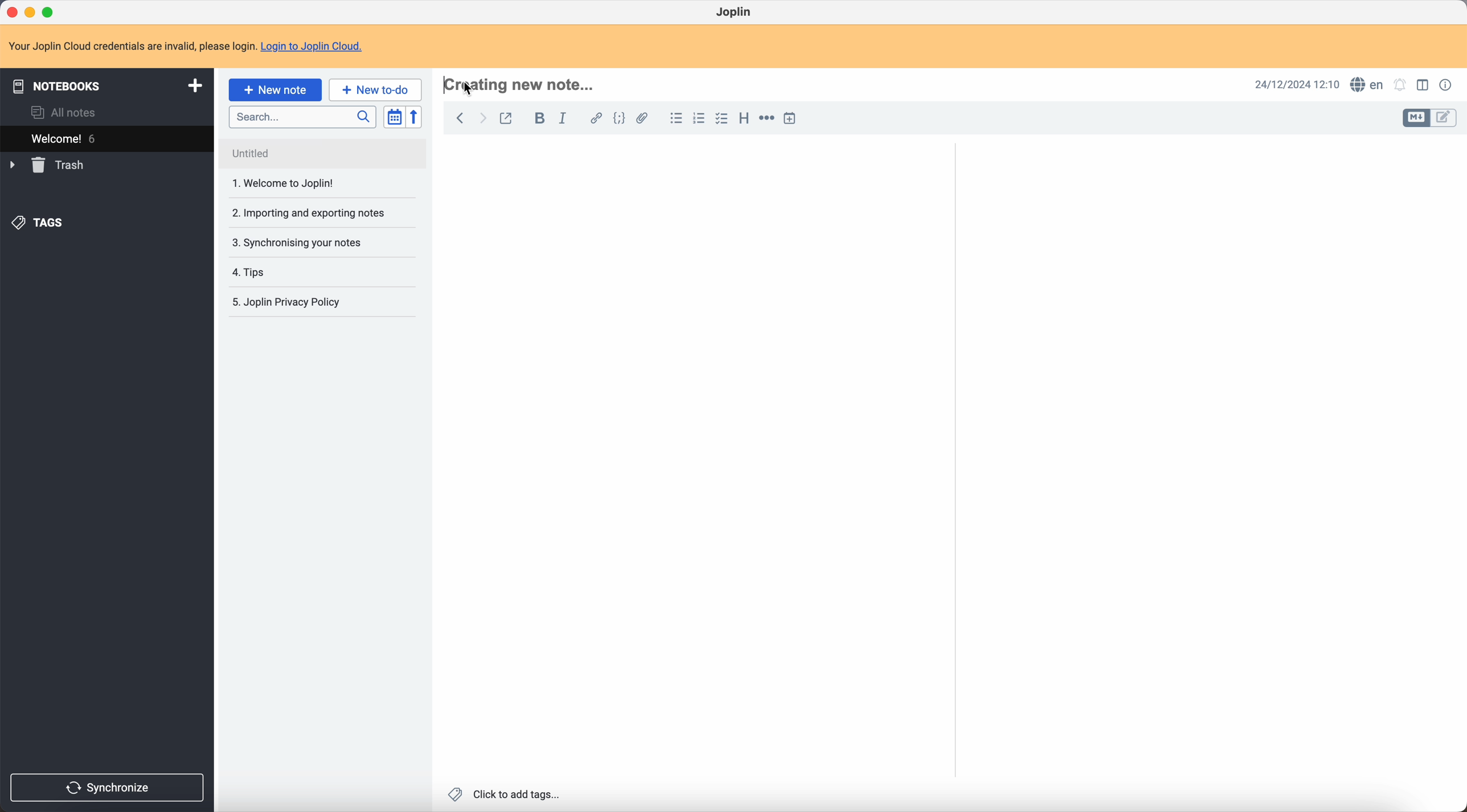  I want to click on Joplin, so click(735, 13).